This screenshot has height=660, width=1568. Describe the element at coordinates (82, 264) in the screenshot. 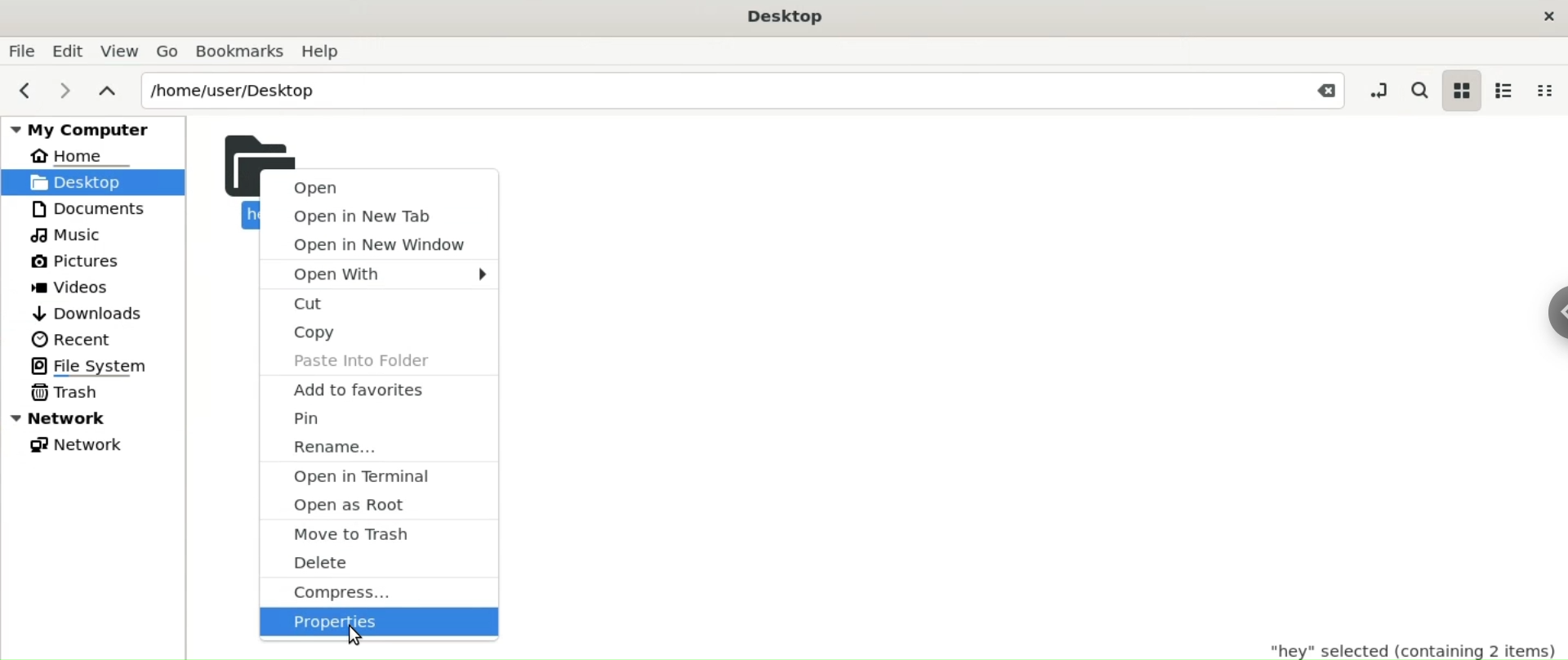

I see `Pictures` at that location.